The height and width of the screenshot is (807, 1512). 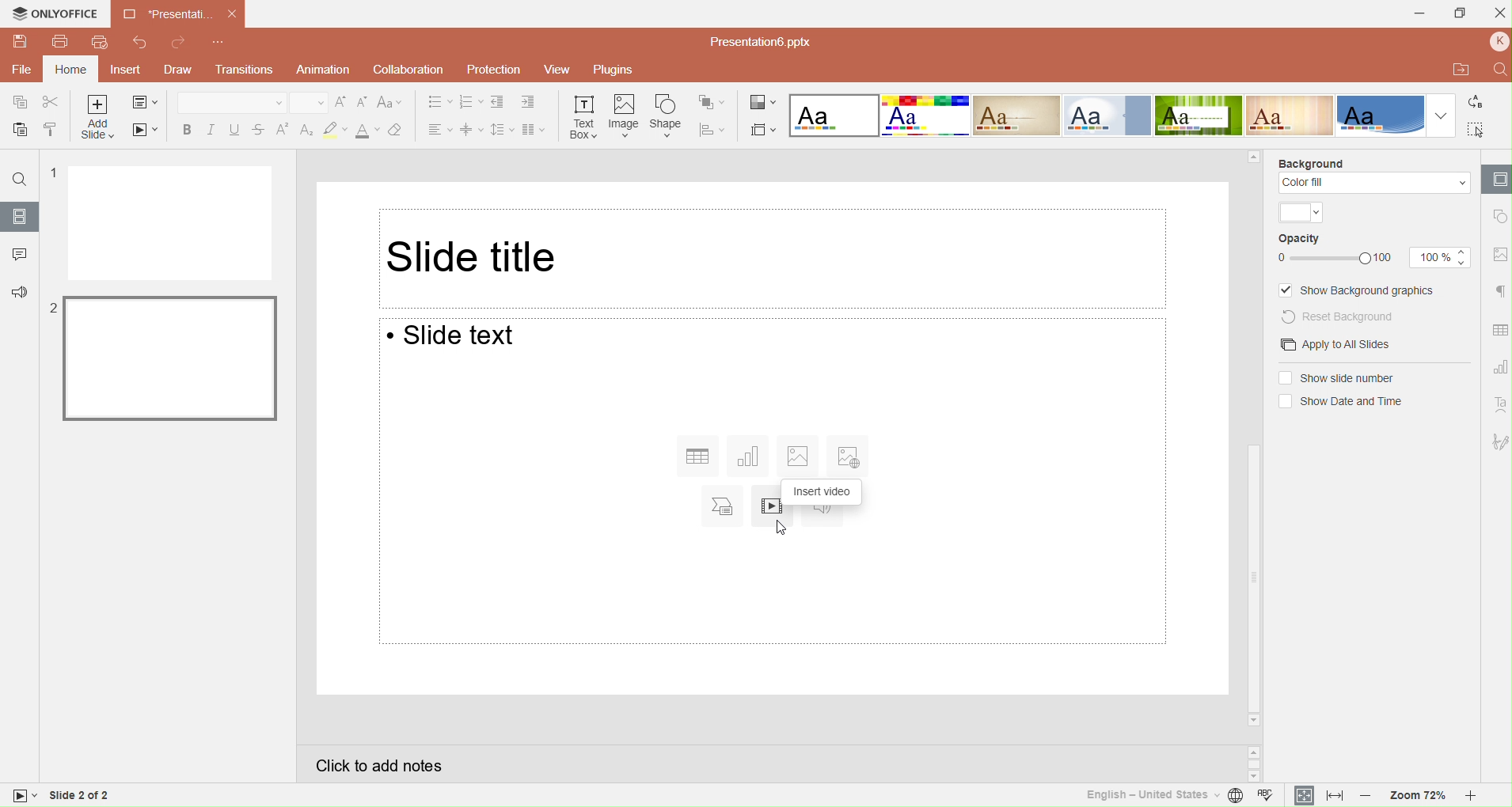 I want to click on Presentation file, so click(x=762, y=44).